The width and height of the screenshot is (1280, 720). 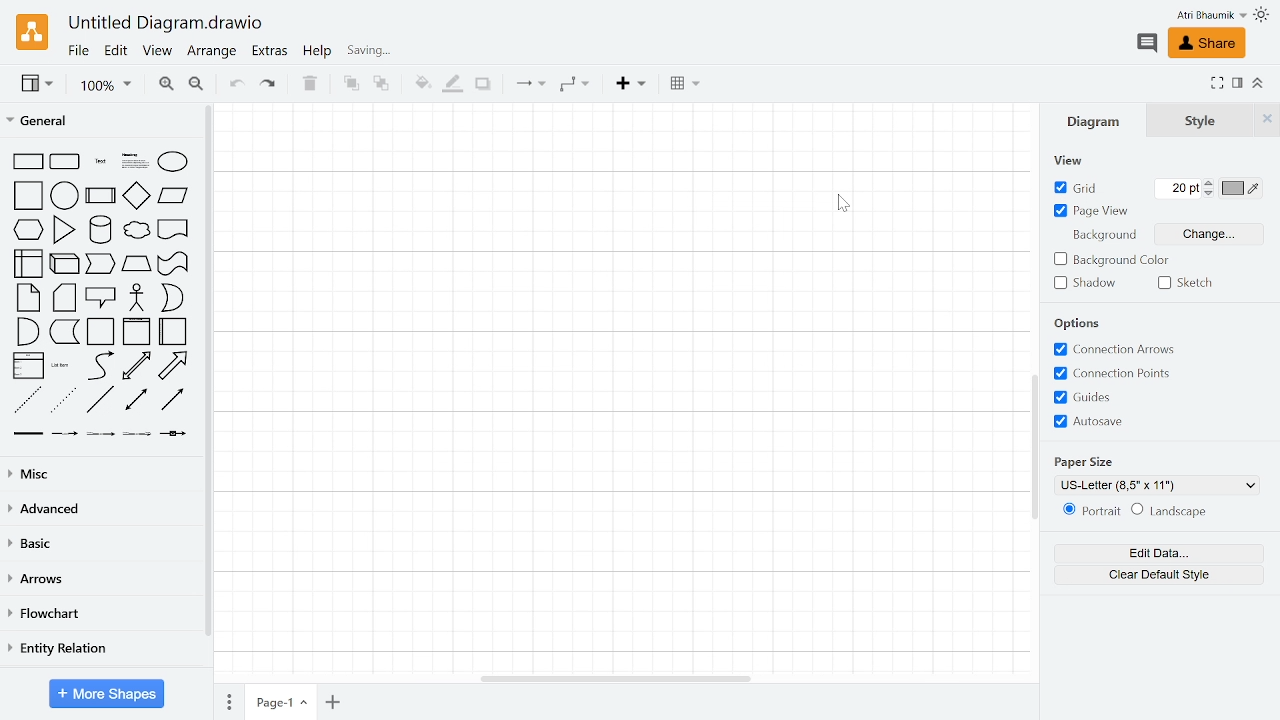 I want to click on View, so click(x=1071, y=160).